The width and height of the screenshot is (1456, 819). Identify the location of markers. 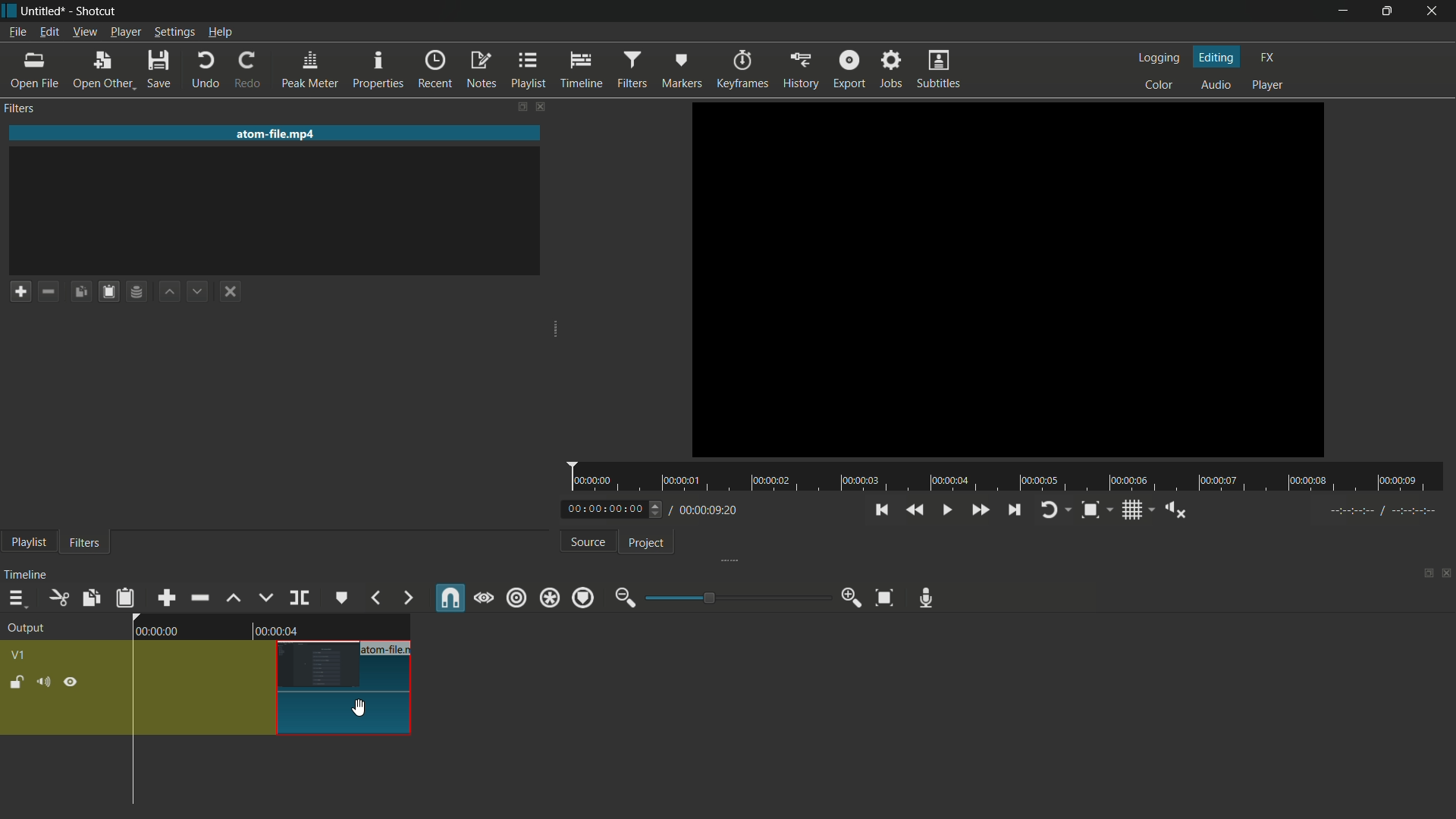
(682, 68).